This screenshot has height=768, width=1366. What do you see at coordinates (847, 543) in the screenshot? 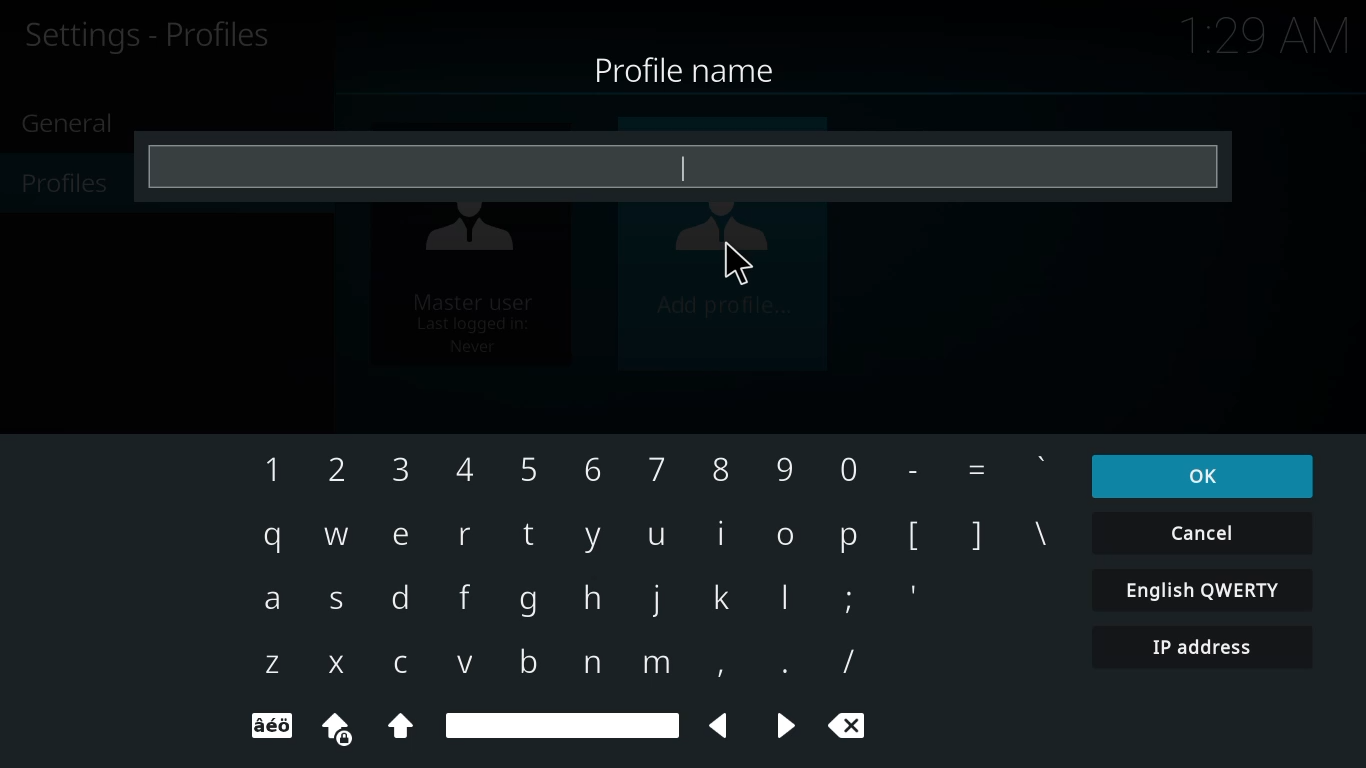
I see `p` at bounding box center [847, 543].